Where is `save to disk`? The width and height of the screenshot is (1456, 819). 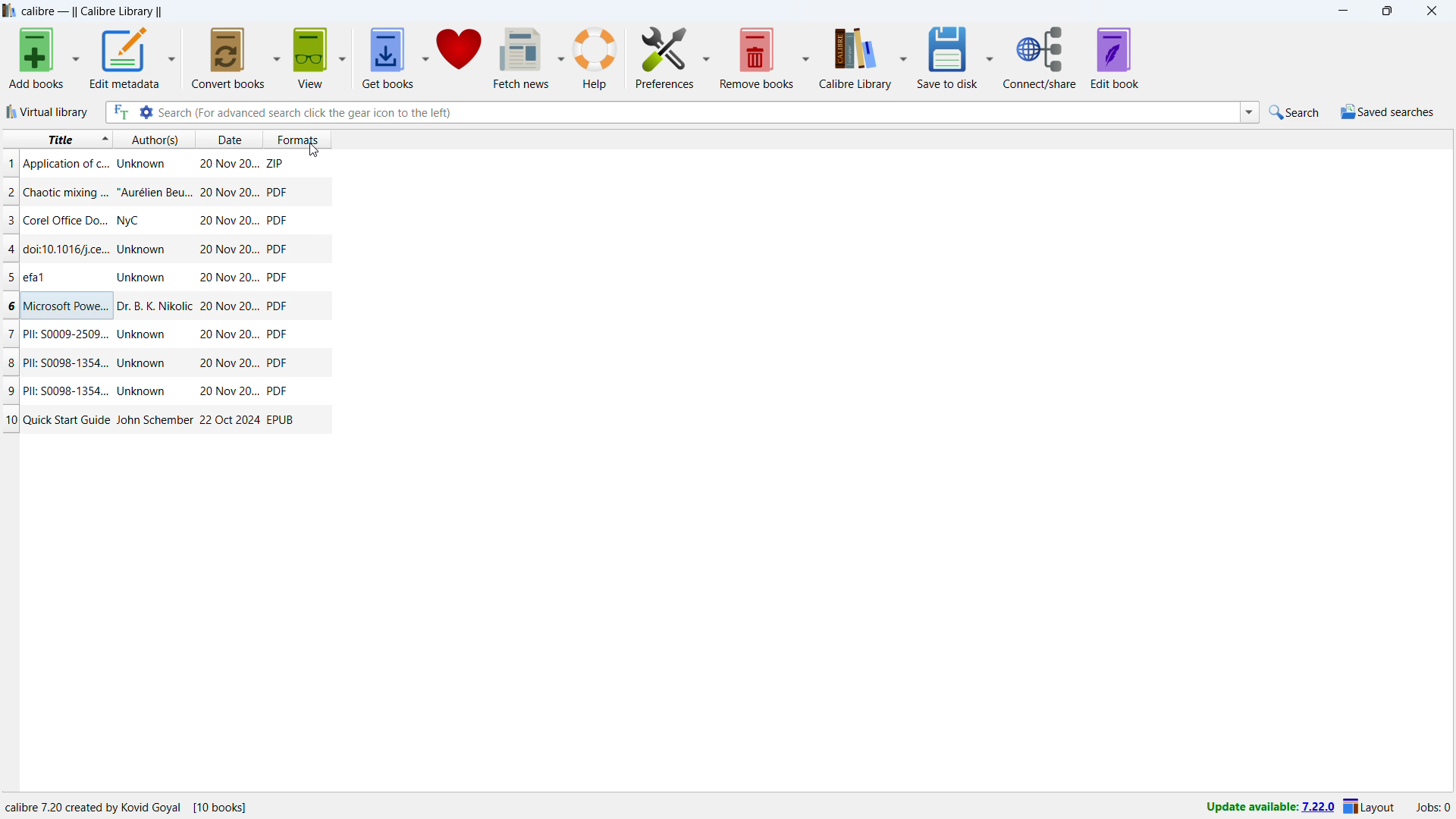 save to disk is located at coordinates (947, 57).